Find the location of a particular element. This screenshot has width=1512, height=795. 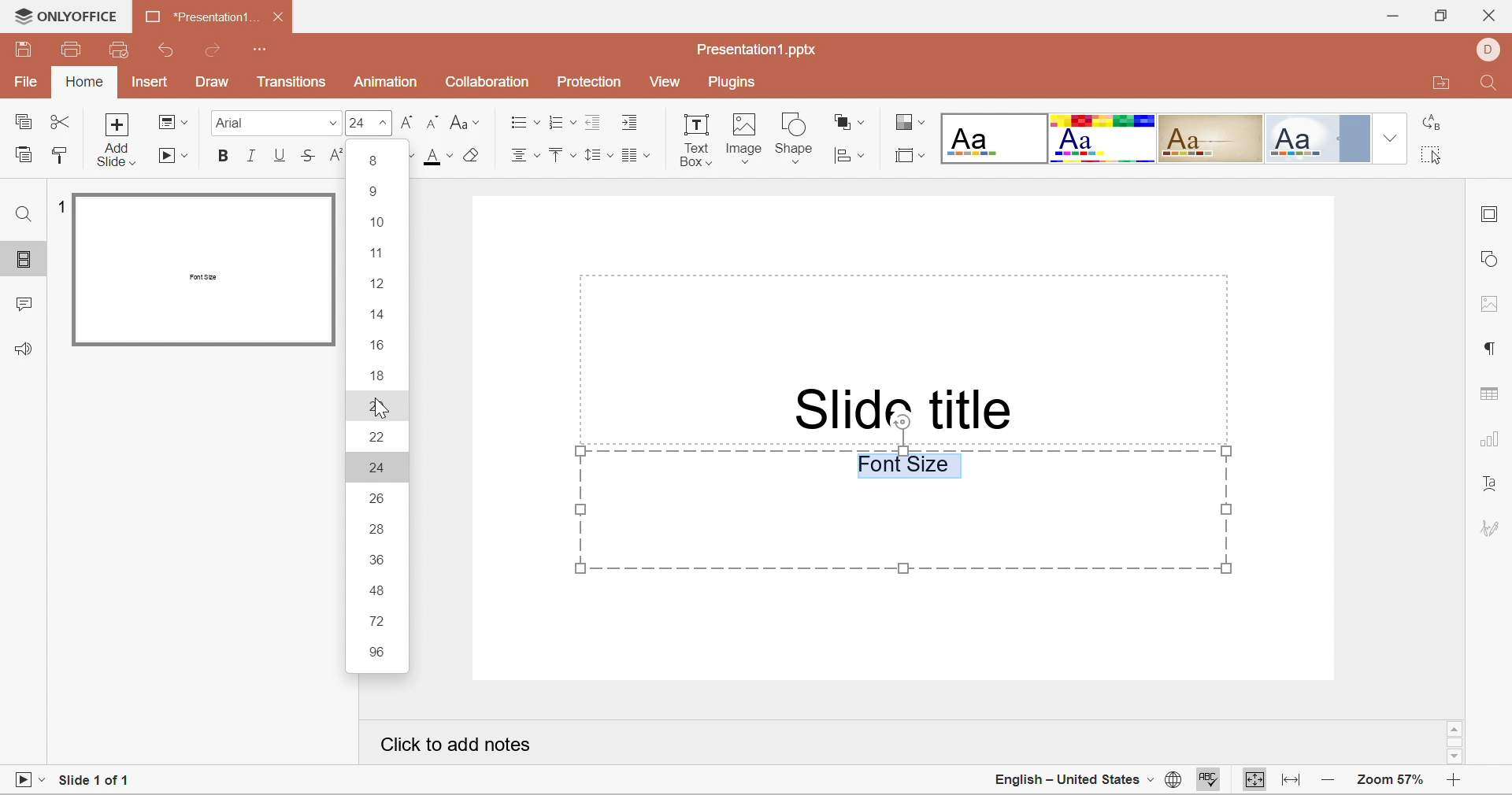

table settings is located at coordinates (1493, 397).